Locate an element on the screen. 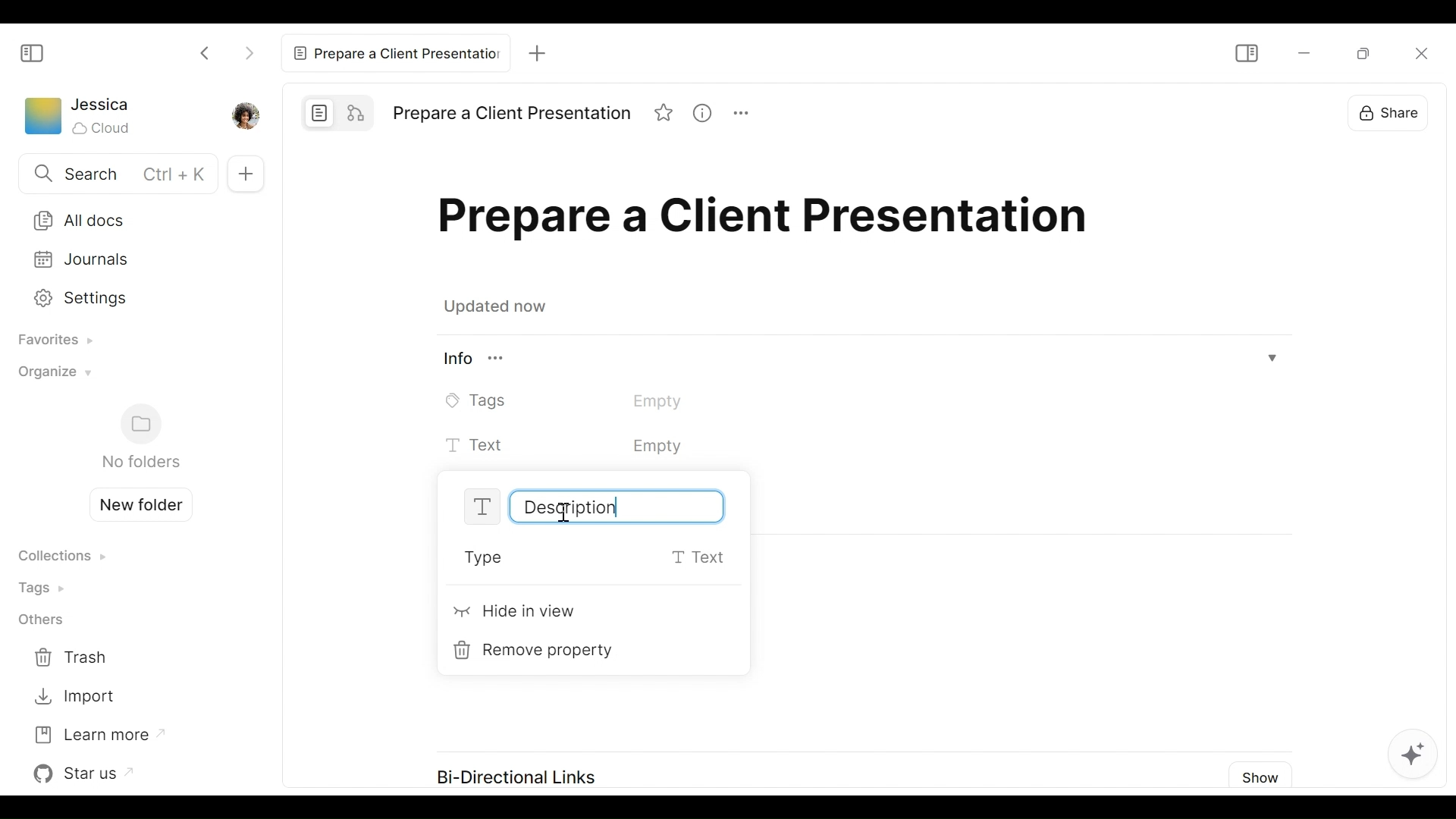 Image resolution: width=1456 pixels, height=819 pixels. Cloud is located at coordinates (103, 128).